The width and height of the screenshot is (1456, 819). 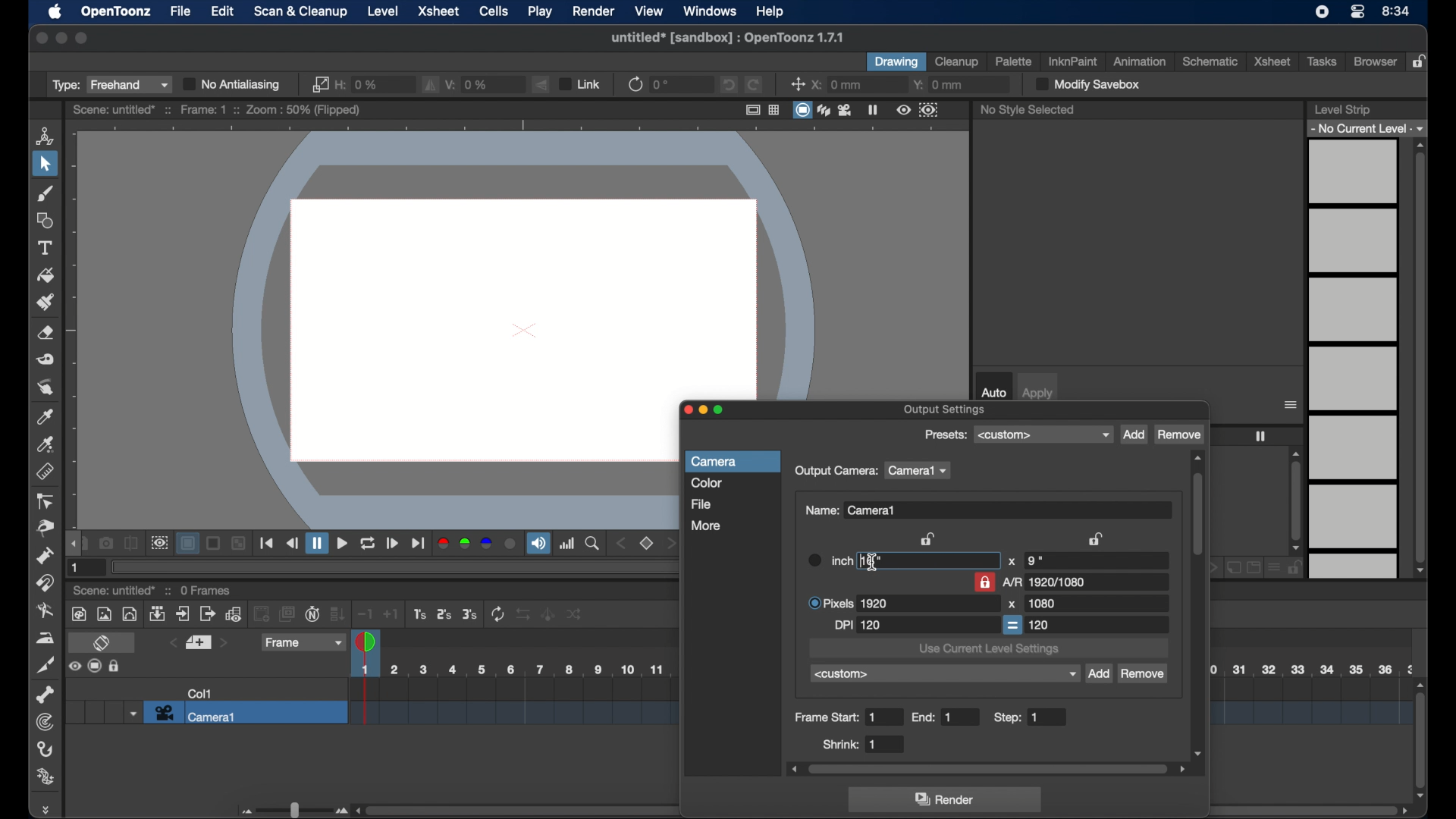 I want to click on remove, so click(x=1144, y=675).